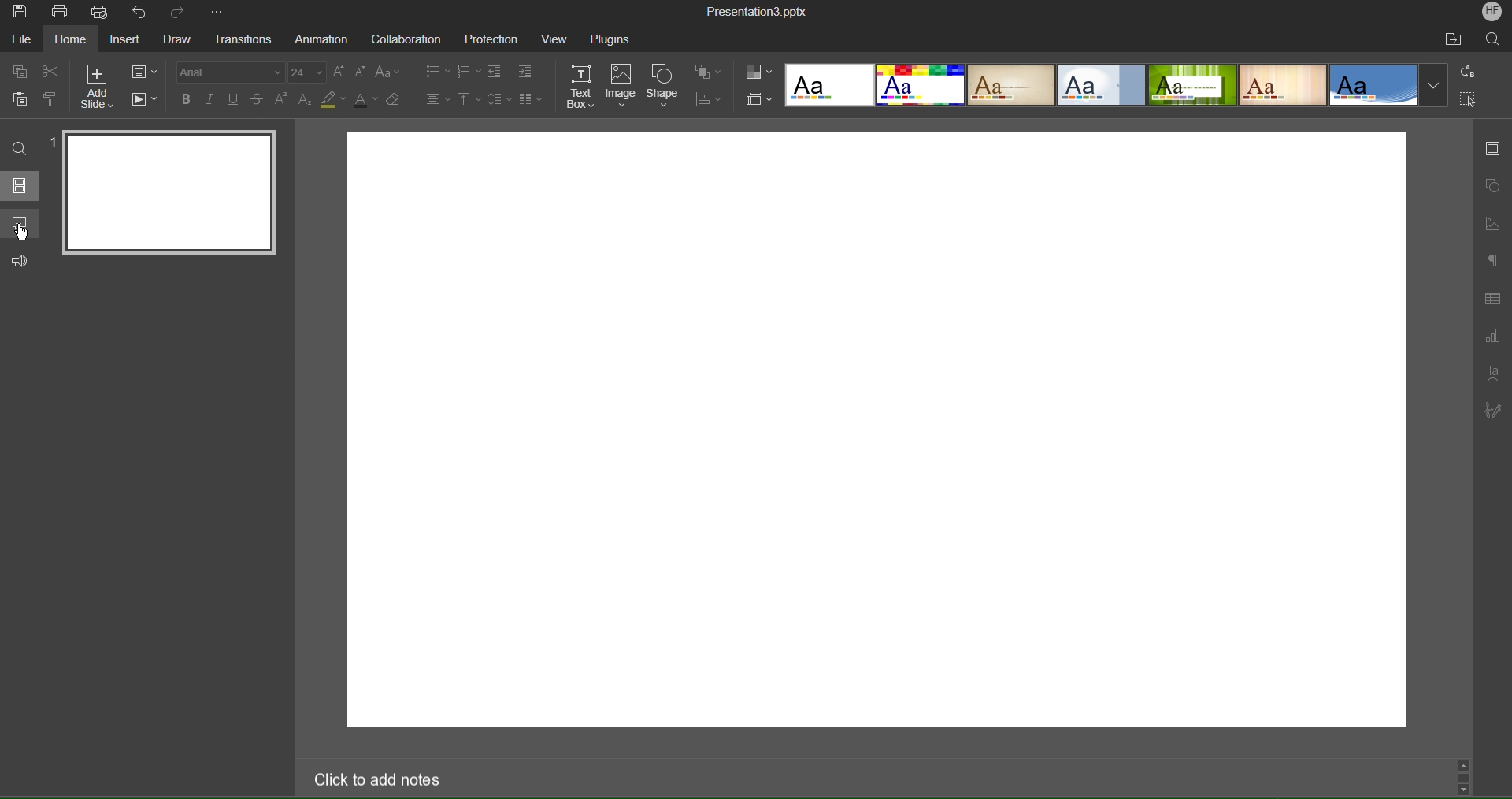 The width and height of the screenshot is (1512, 799). What do you see at coordinates (1494, 149) in the screenshot?
I see `Slide Settings` at bounding box center [1494, 149].